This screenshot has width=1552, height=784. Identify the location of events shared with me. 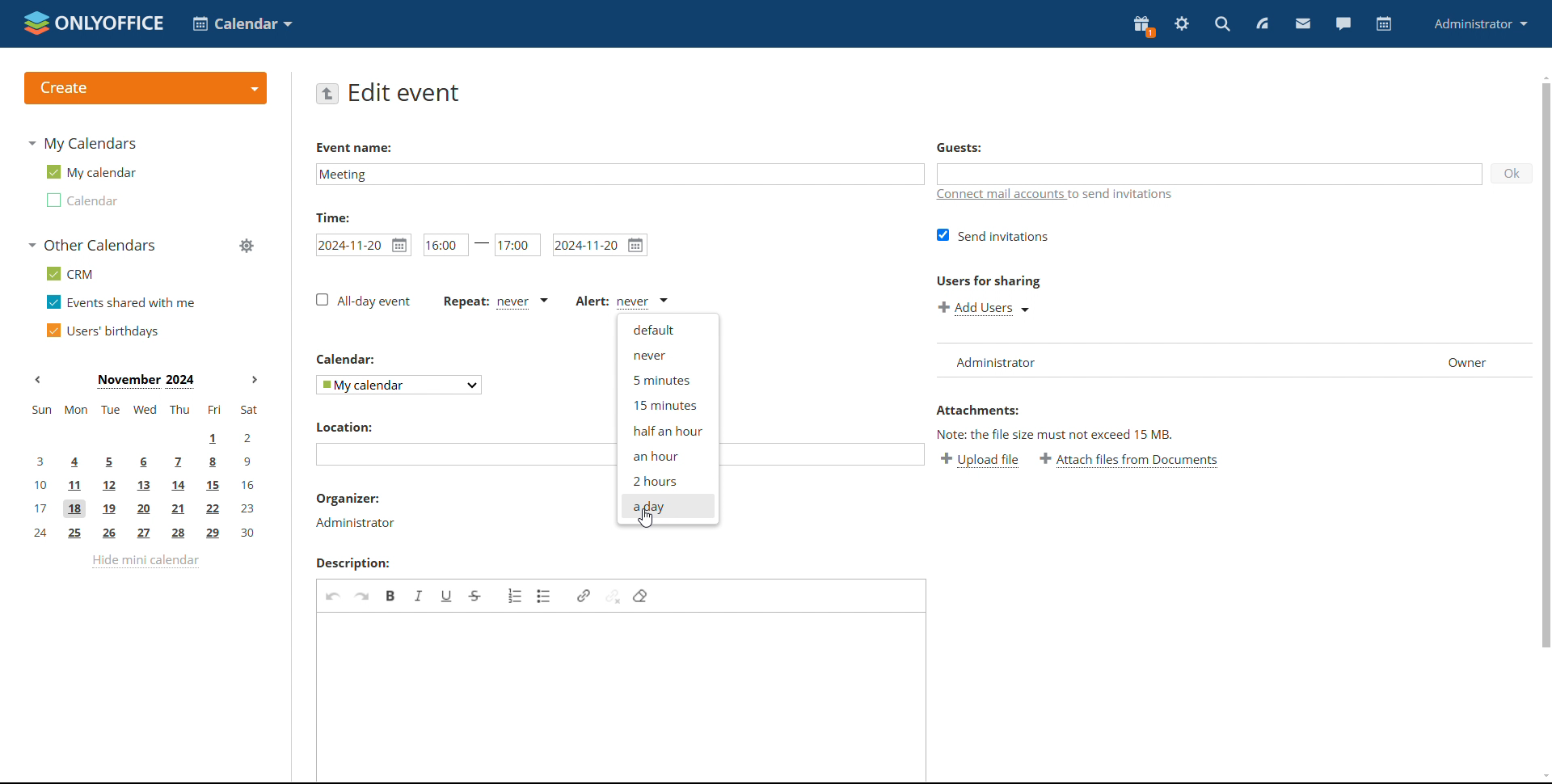
(121, 301).